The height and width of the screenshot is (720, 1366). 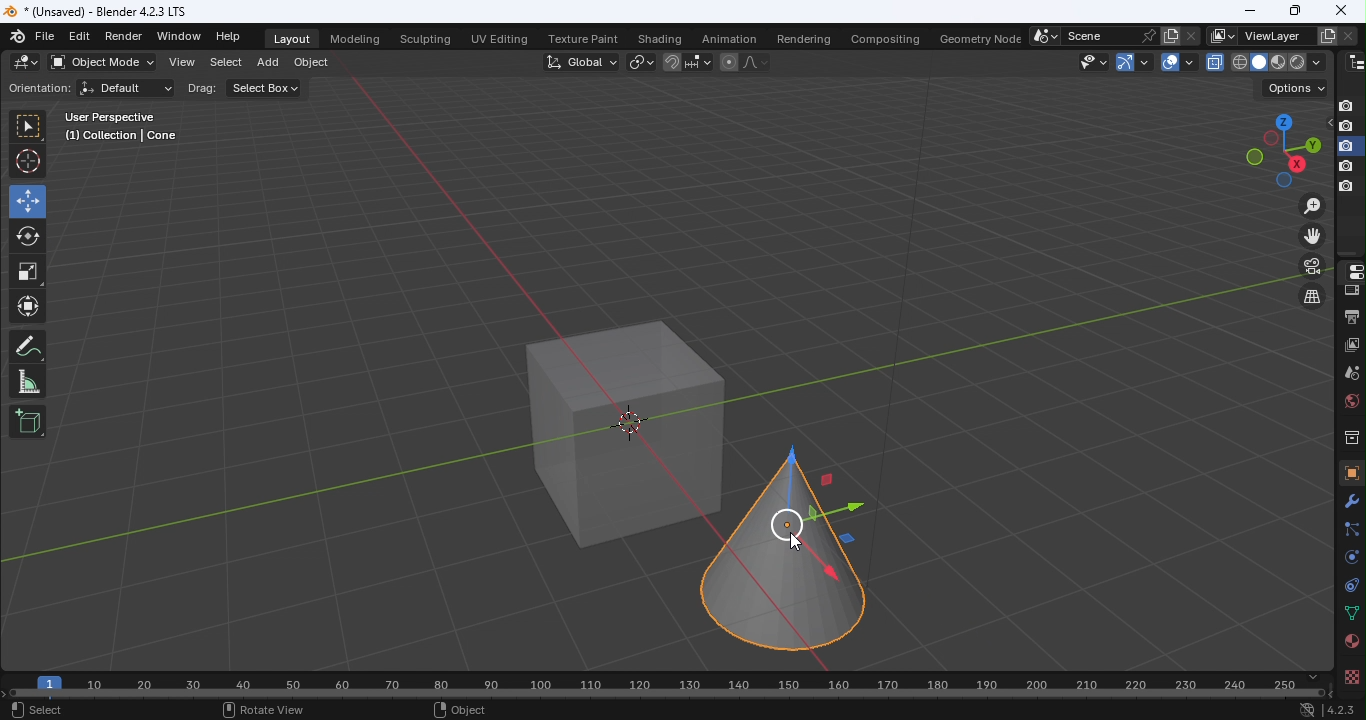 I want to click on Network, so click(x=1306, y=711).